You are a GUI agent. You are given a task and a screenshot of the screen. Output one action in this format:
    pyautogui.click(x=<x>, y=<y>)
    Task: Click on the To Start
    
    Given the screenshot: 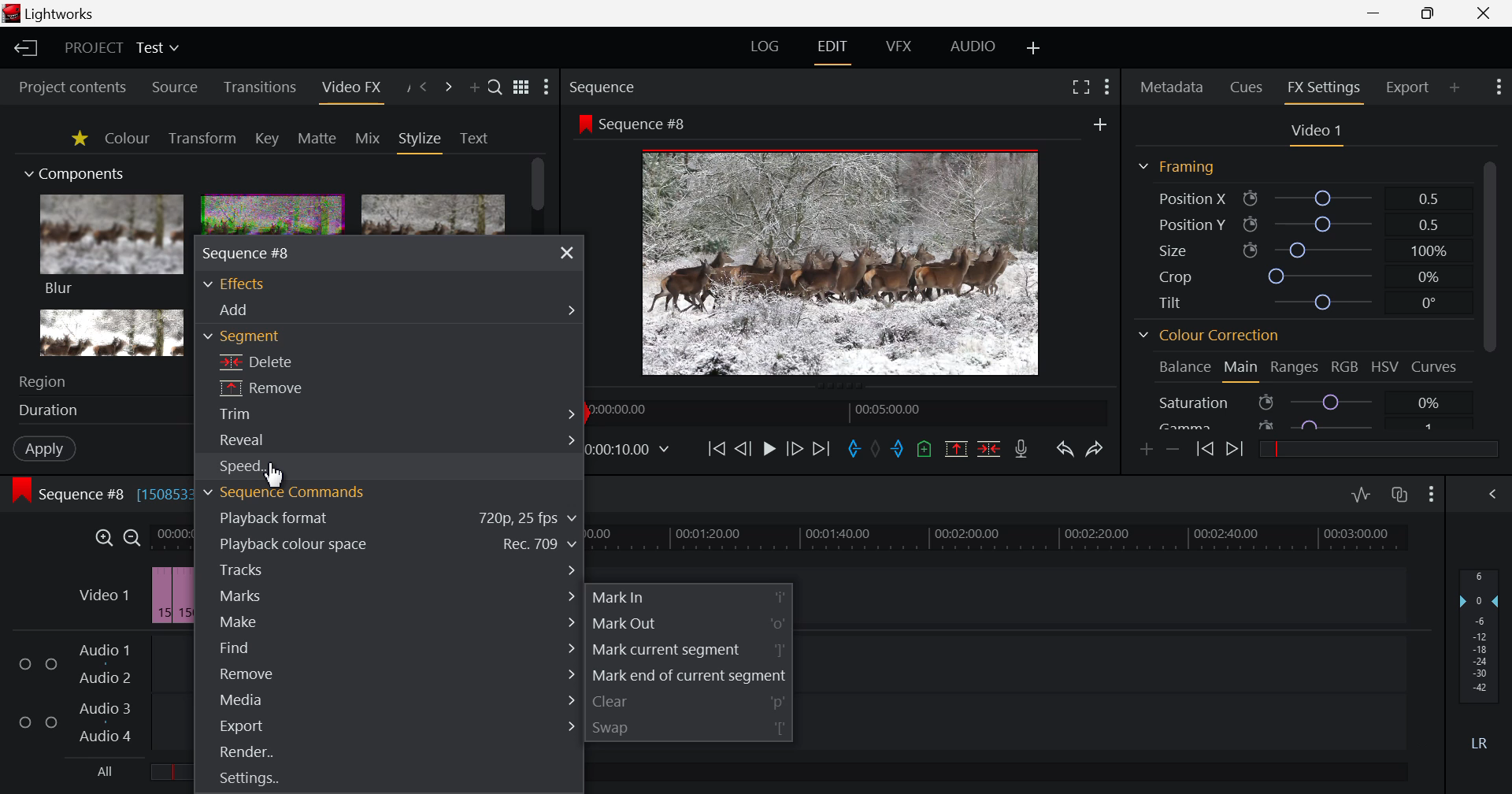 What is the action you would take?
    pyautogui.click(x=717, y=449)
    